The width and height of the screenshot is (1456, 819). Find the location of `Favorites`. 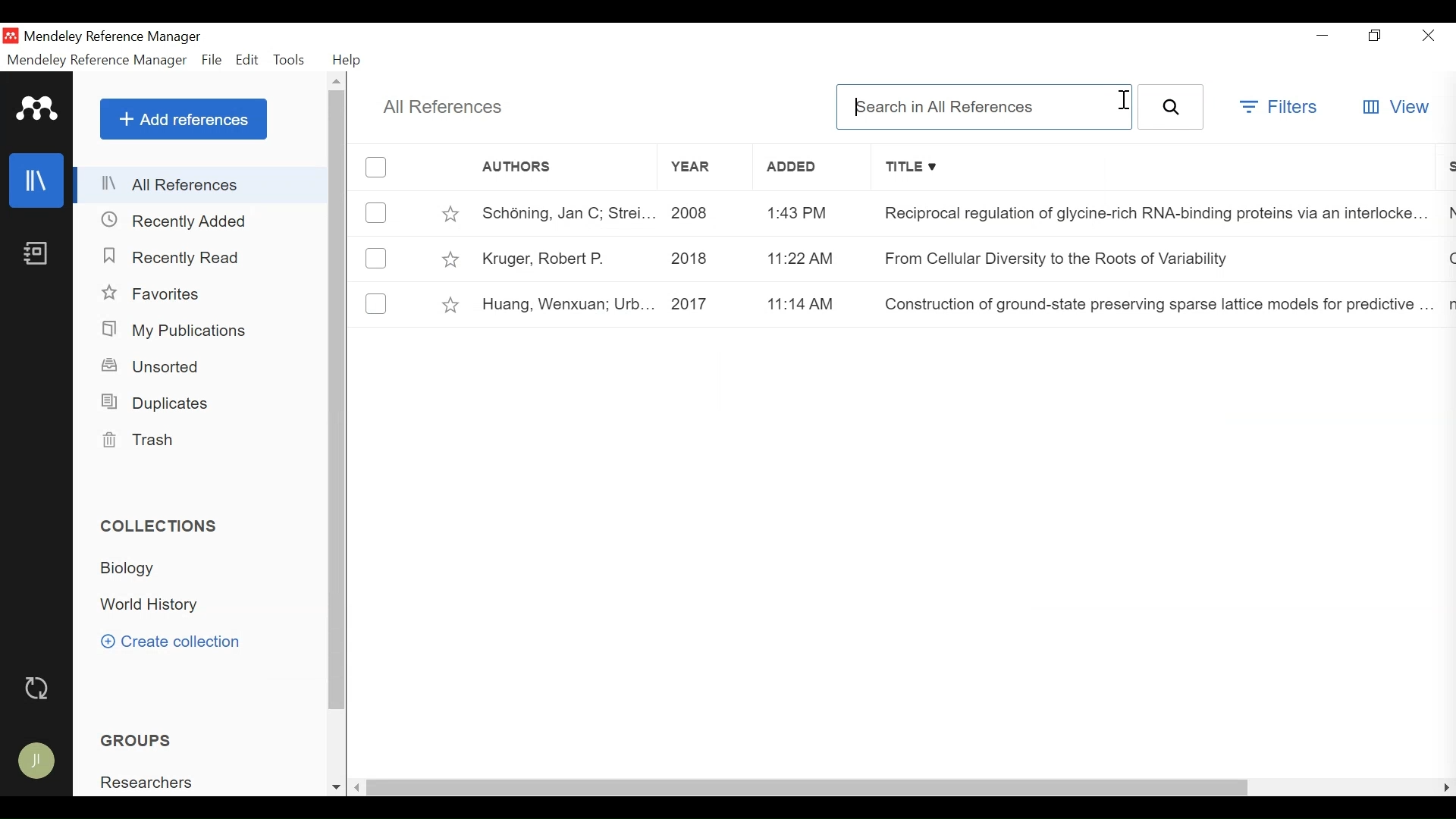

Favorites is located at coordinates (154, 294).